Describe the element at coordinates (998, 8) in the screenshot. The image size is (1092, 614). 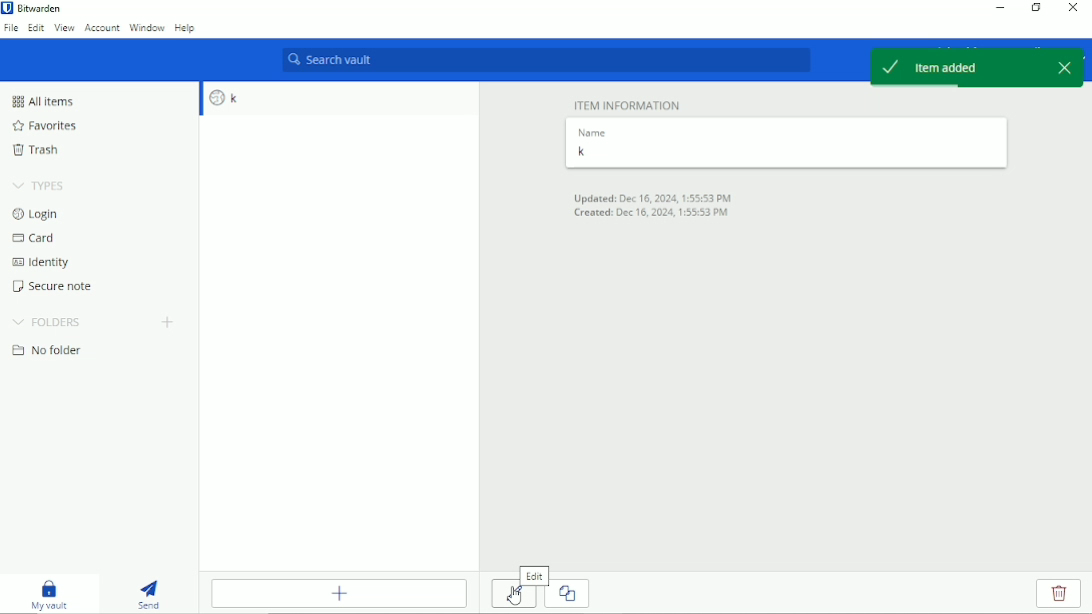
I see `Minimize` at that location.